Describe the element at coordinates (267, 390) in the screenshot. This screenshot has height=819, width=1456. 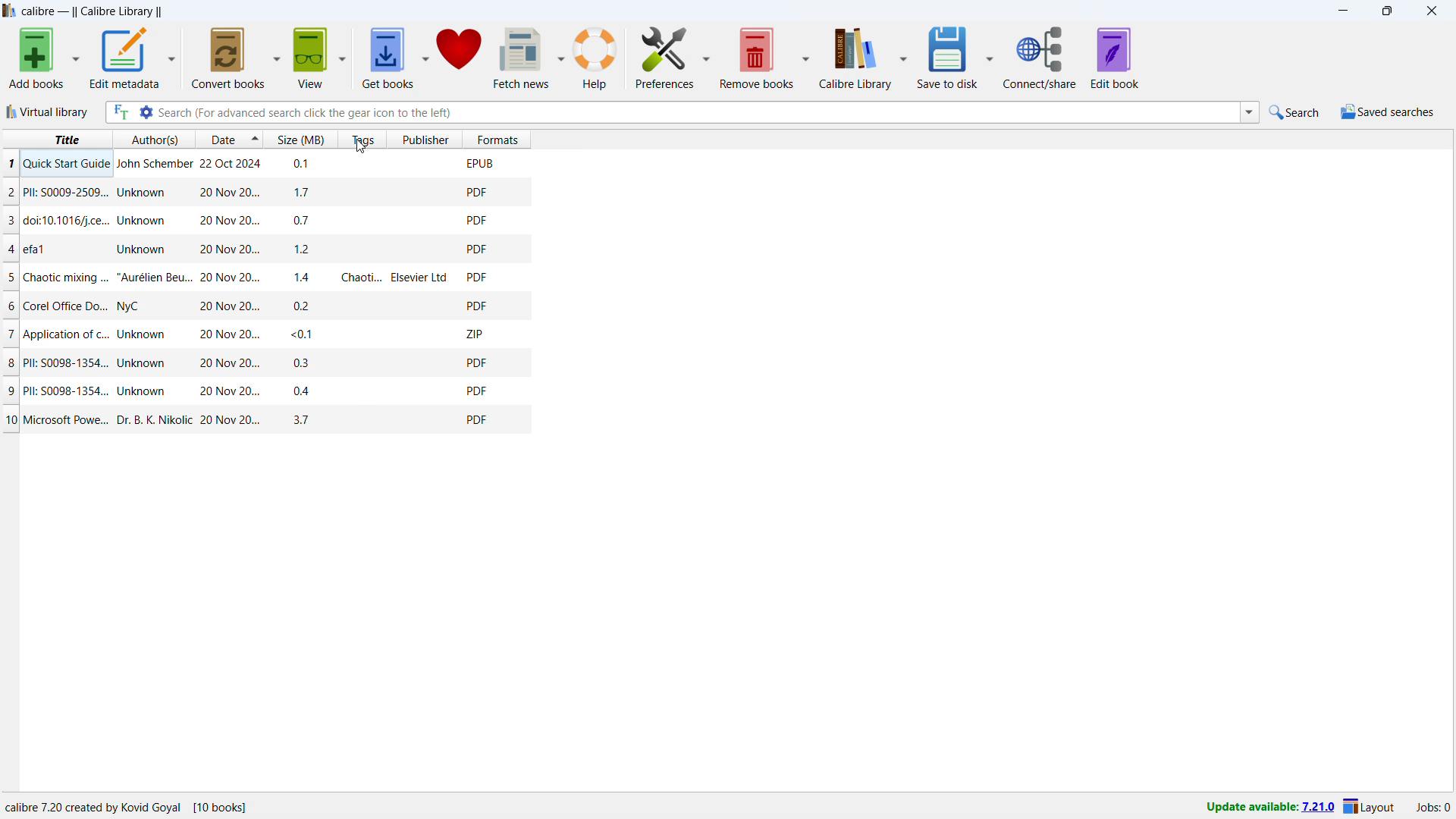
I see `PII: S0098-1354... Unknown 20 Nov 20... 04 PDF` at that location.